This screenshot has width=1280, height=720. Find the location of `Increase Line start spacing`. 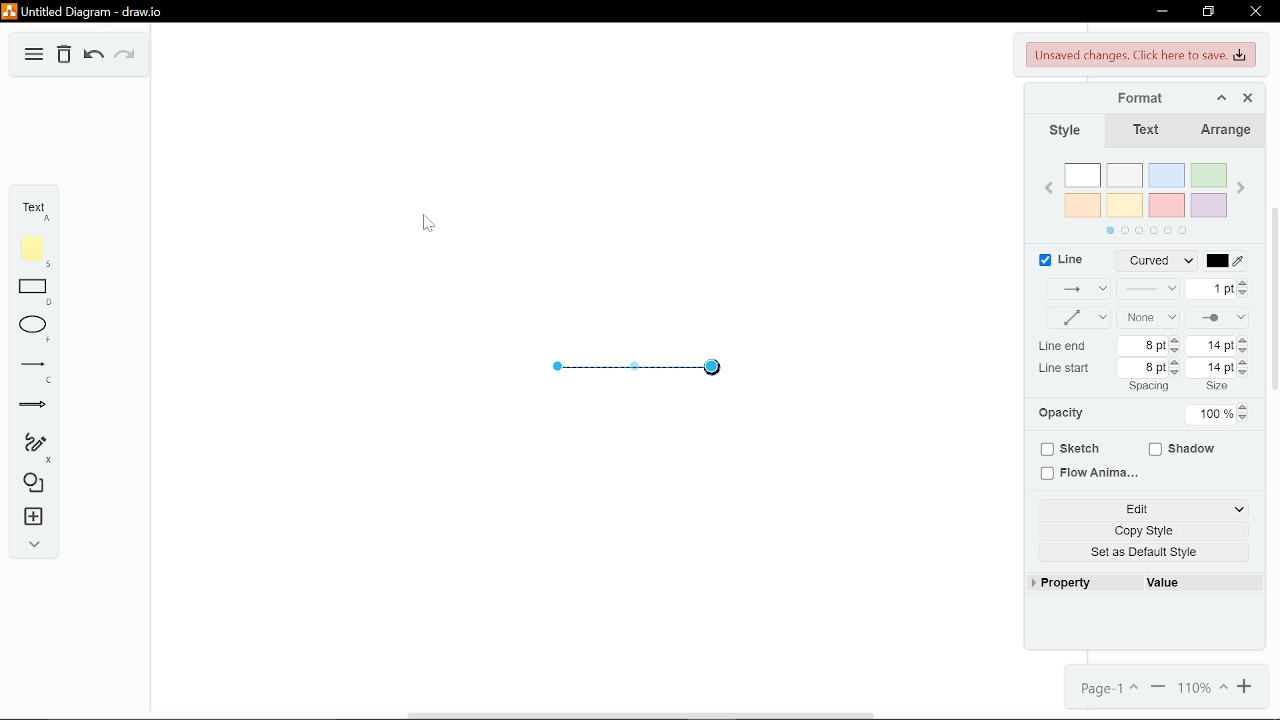

Increase Line start spacing is located at coordinates (1178, 363).